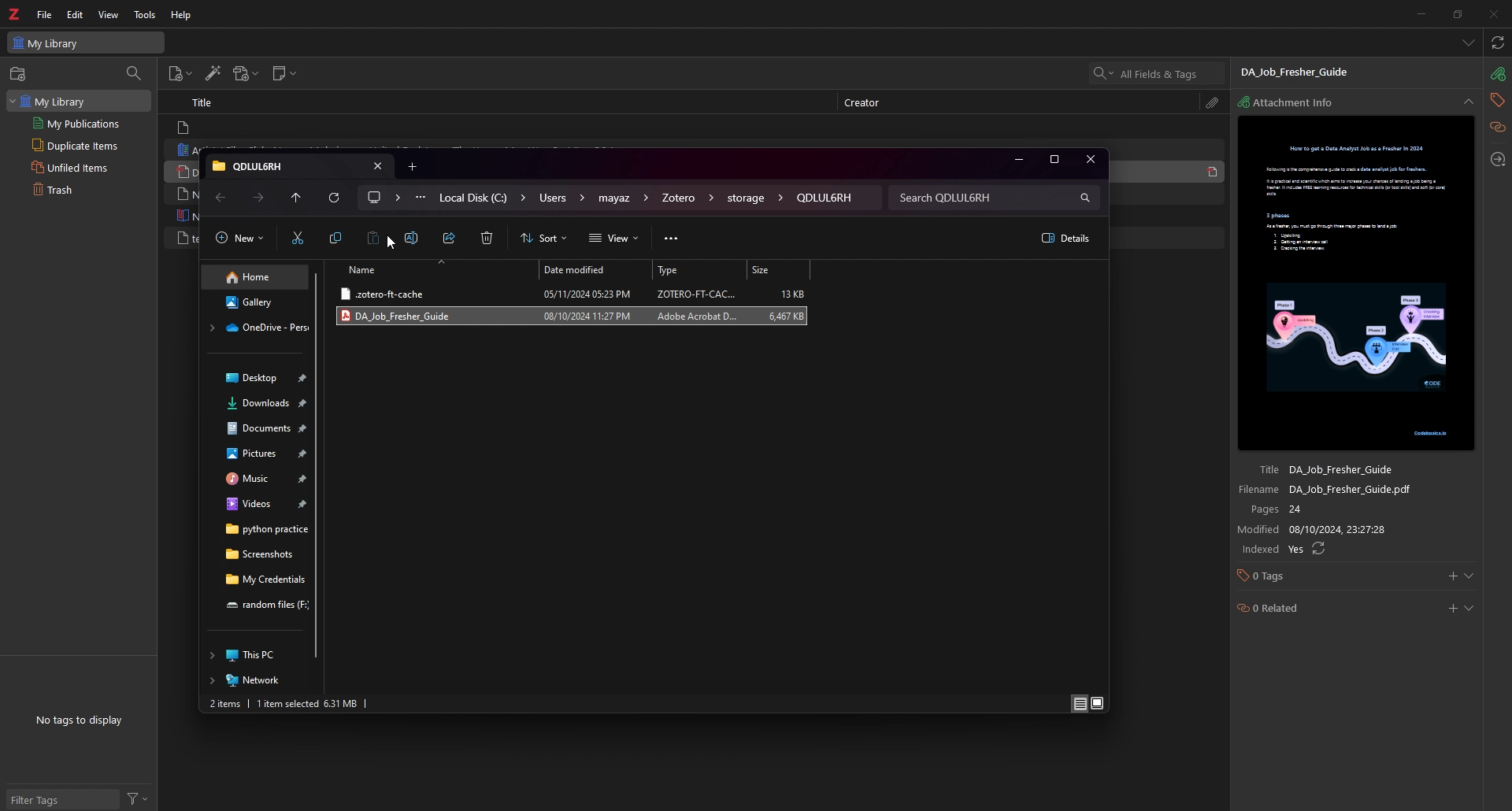  Describe the element at coordinates (699, 270) in the screenshot. I see `type` at that location.